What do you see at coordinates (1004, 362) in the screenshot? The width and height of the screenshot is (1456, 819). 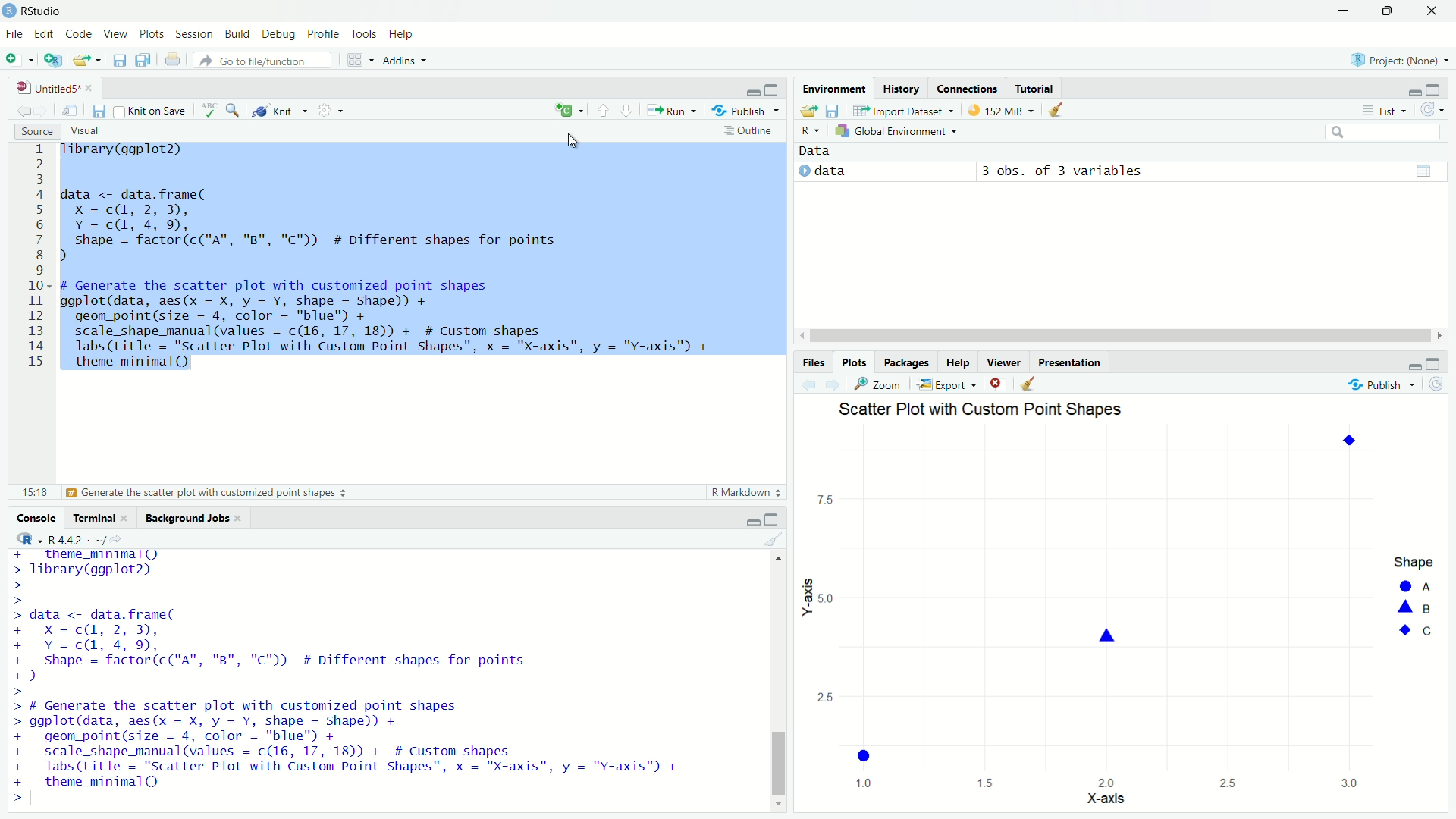 I see `Viewer` at bounding box center [1004, 362].